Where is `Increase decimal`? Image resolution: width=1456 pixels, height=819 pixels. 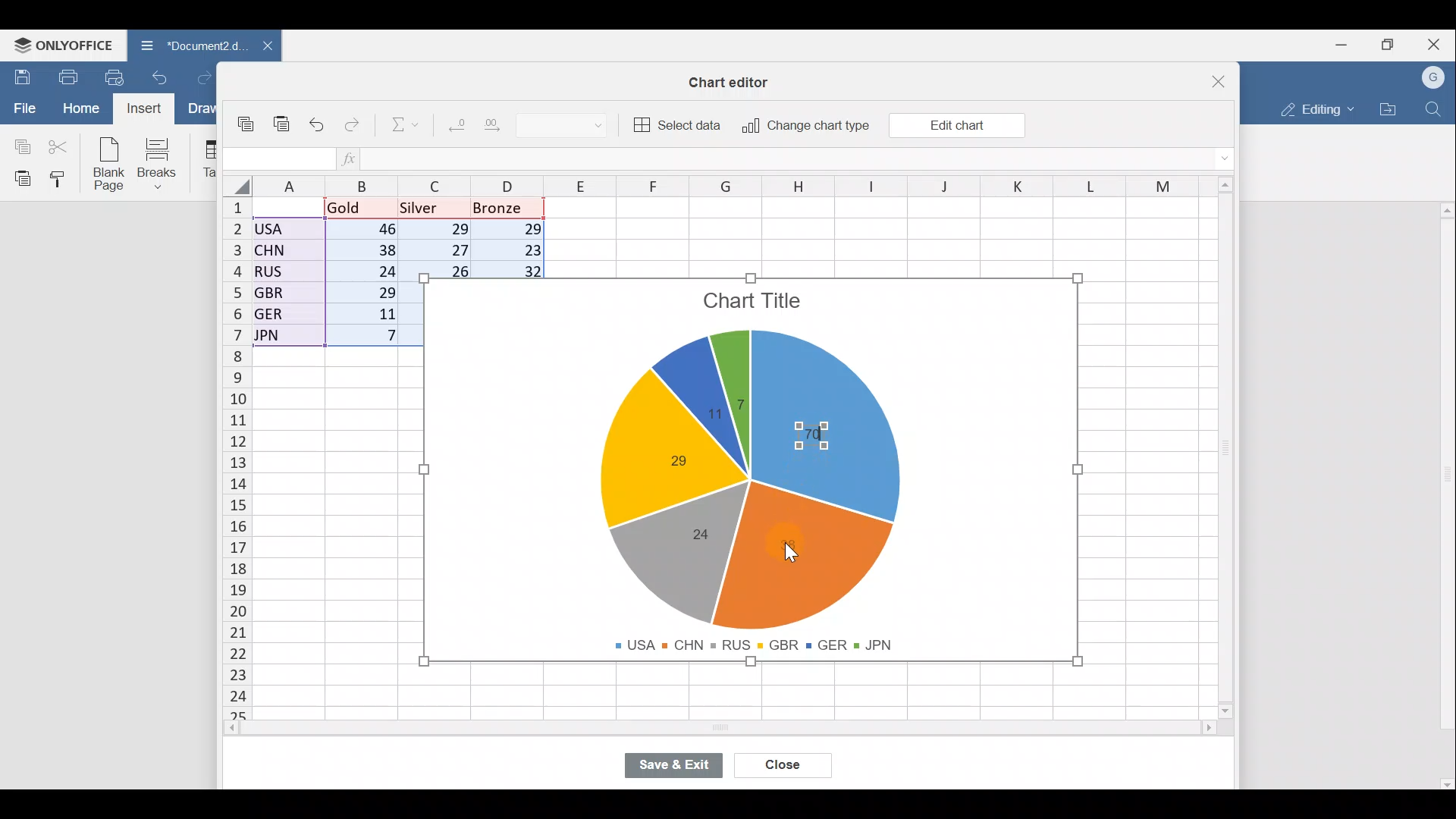 Increase decimal is located at coordinates (496, 123).